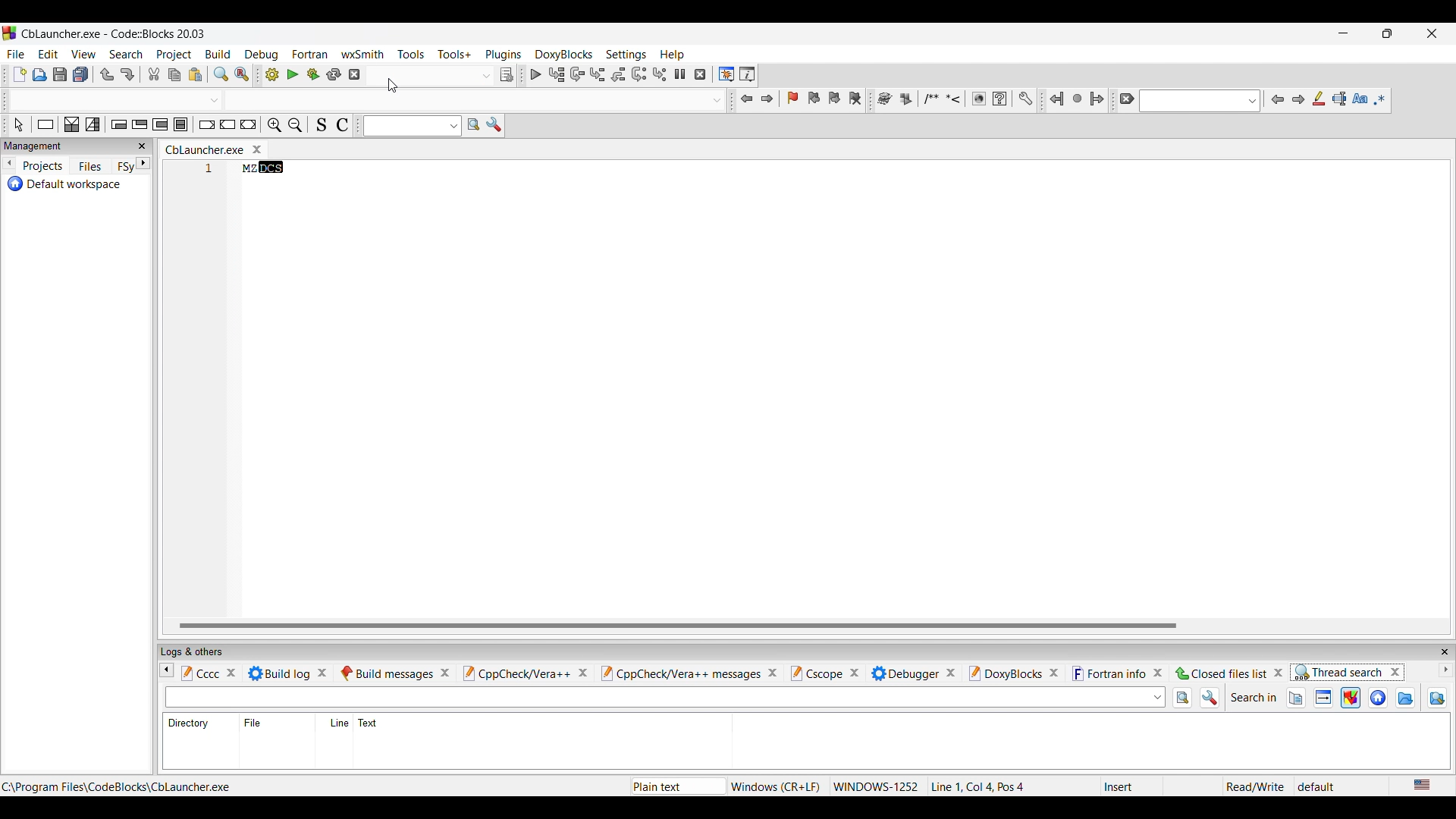  What do you see at coordinates (196, 75) in the screenshot?
I see `Paste` at bounding box center [196, 75].